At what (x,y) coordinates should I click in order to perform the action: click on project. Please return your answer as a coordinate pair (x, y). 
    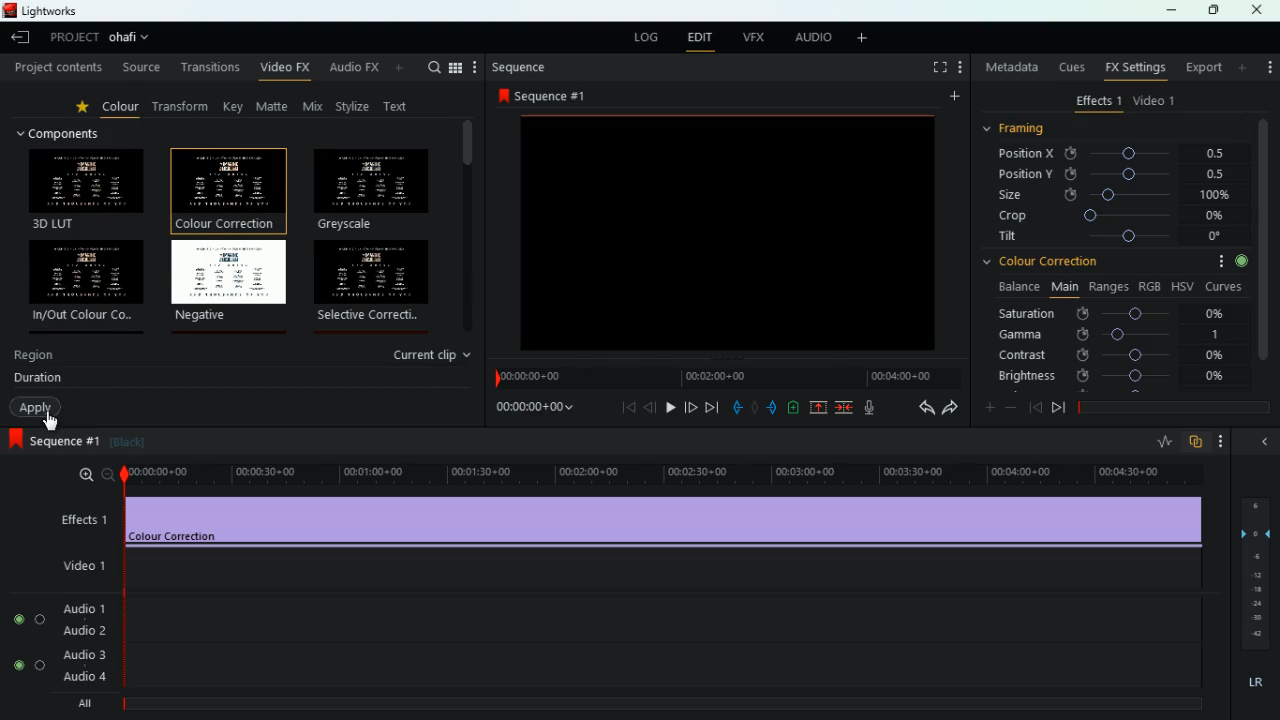
    Looking at the image, I should click on (70, 38).